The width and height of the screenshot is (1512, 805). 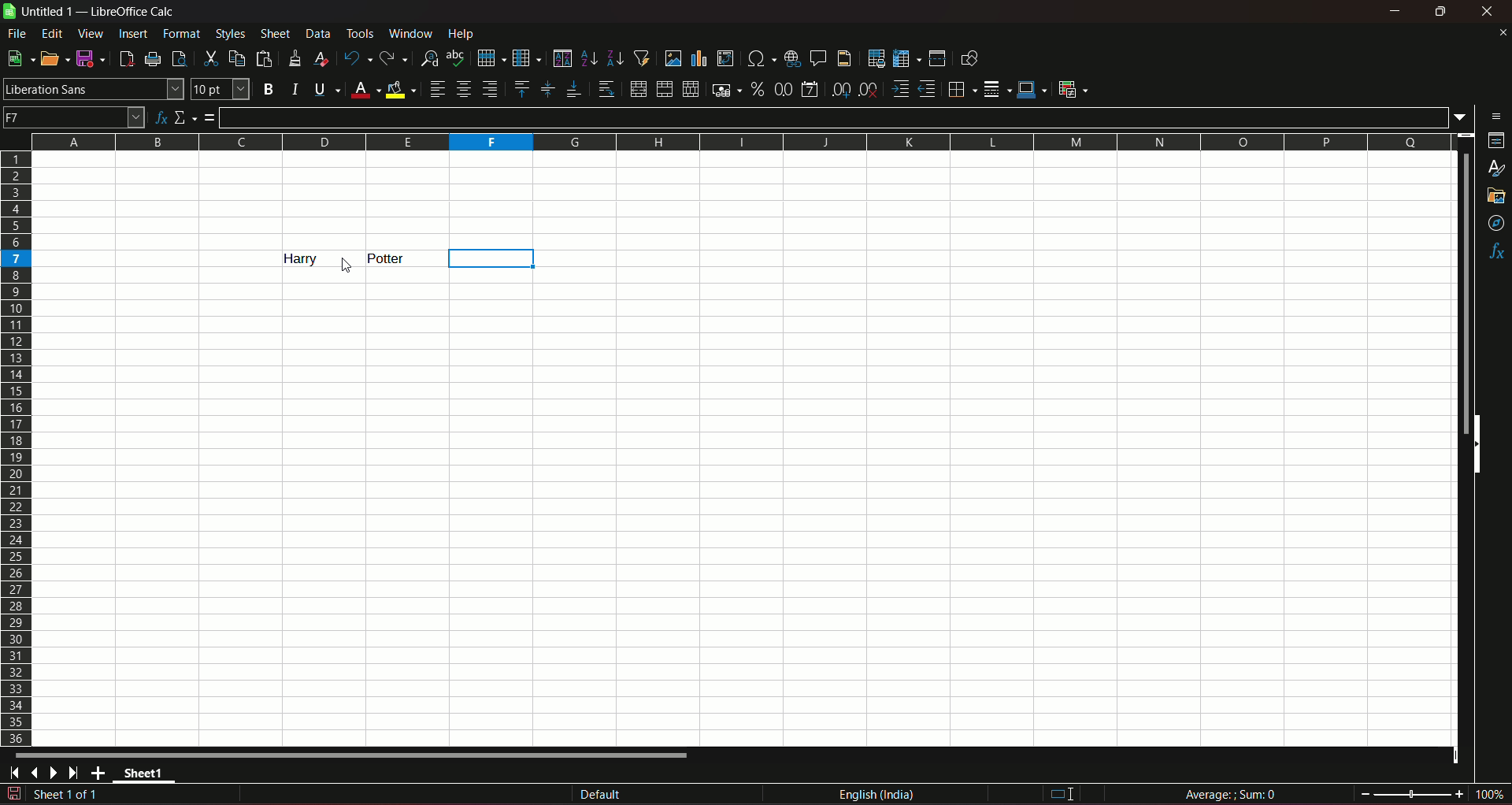 What do you see at coordinates (1396, 11) in the screenshot?
I see `minimize` at bounding box center [1396, 11].